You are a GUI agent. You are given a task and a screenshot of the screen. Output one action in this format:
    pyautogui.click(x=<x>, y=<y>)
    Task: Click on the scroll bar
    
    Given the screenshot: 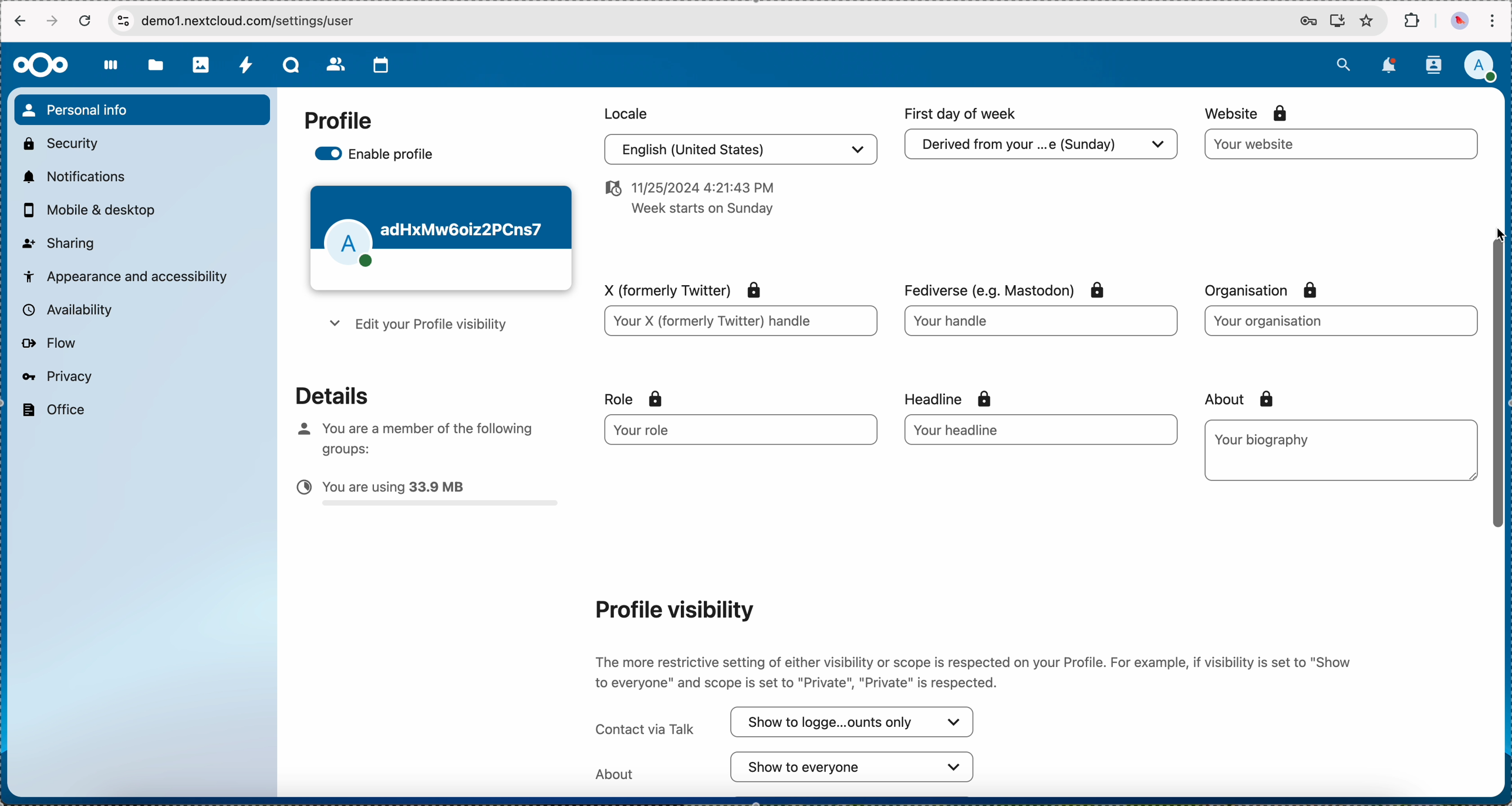 What is the action you would take?
    pyautogui.click(x=1500, y=398)
    